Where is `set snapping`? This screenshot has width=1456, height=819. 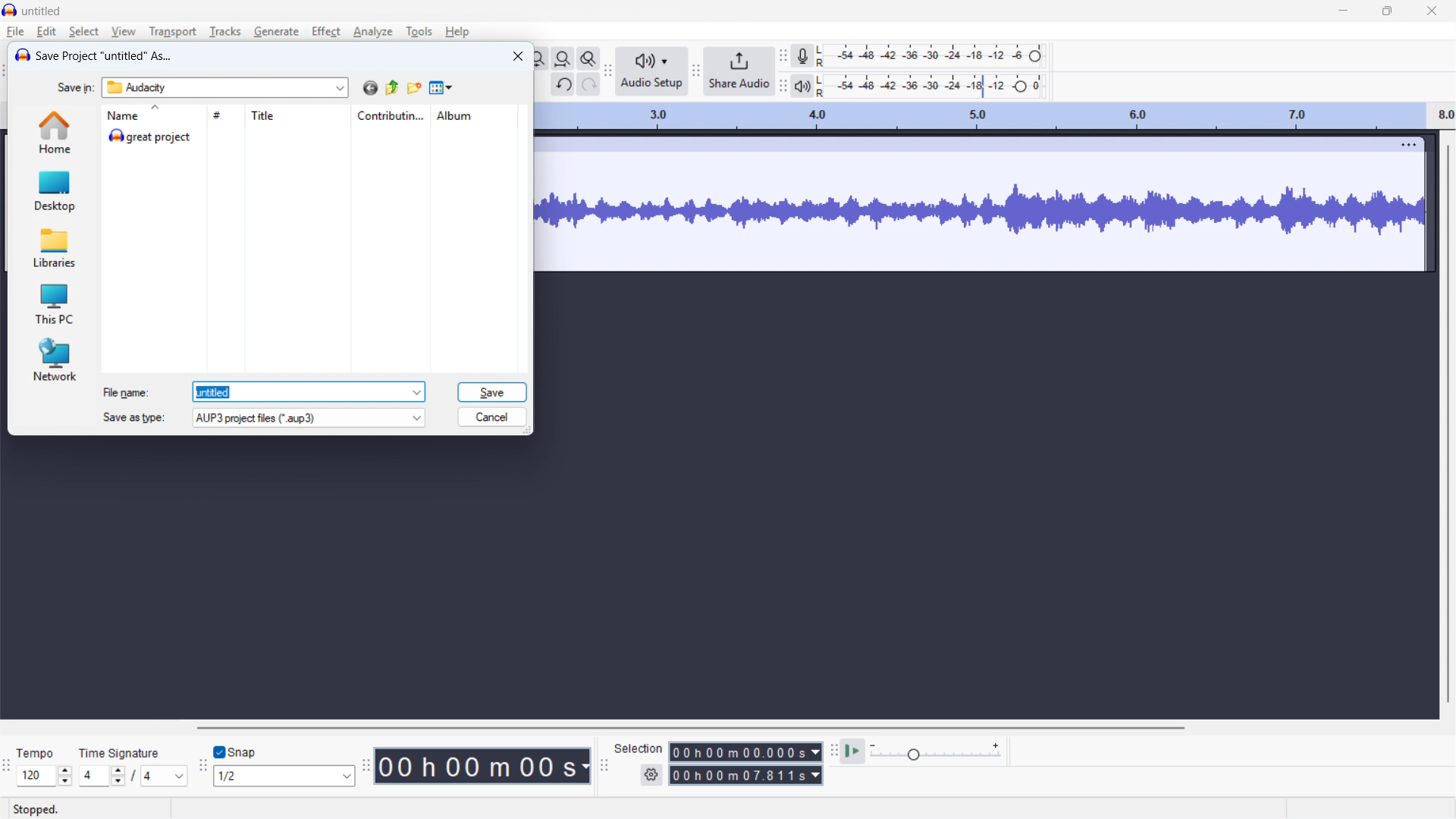
set snapping is located at coordinates (284, 777).